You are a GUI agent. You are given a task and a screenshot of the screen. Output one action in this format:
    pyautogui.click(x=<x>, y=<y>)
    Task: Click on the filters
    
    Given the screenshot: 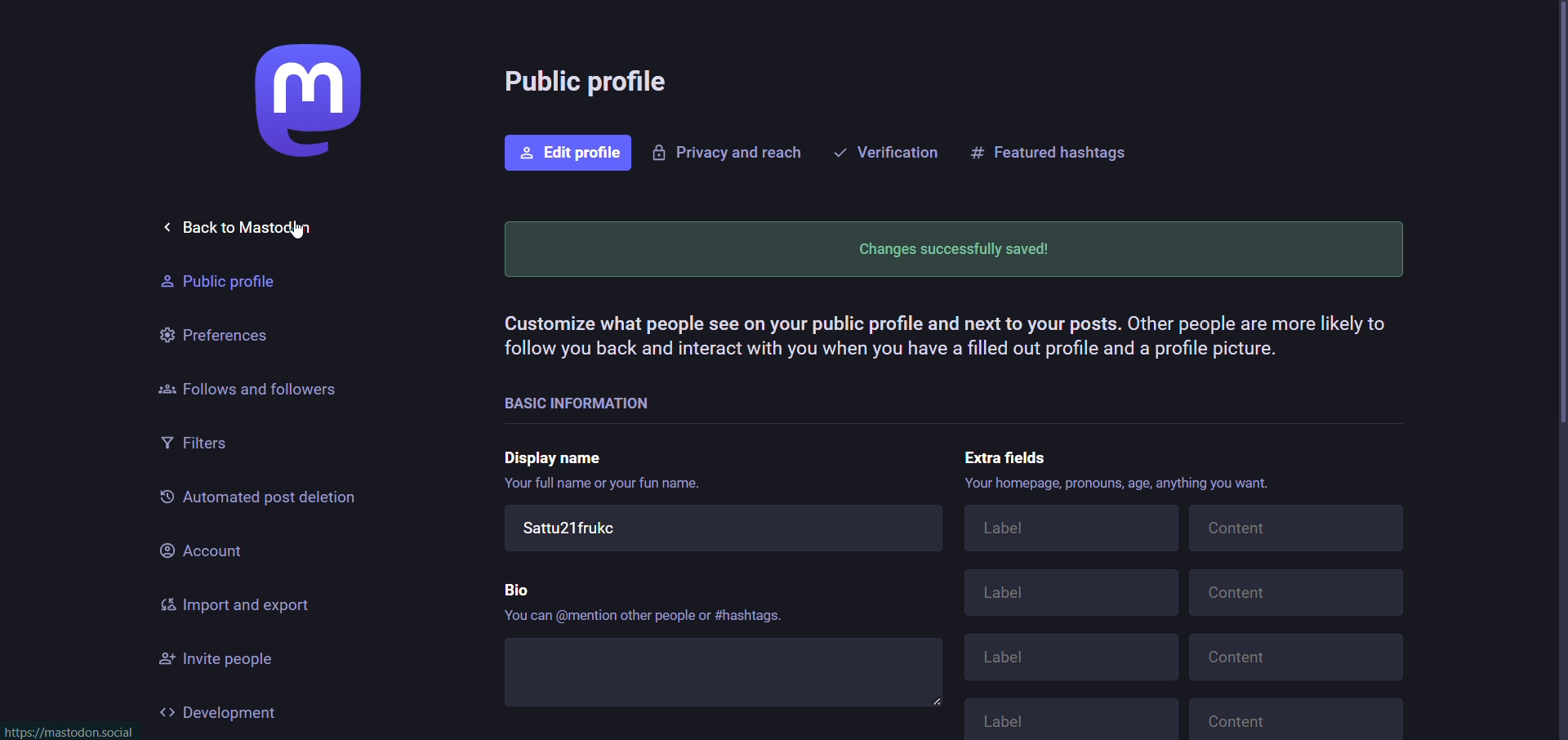 What is the action you would take?
    pyautogui.click(x=199, y=445)
    